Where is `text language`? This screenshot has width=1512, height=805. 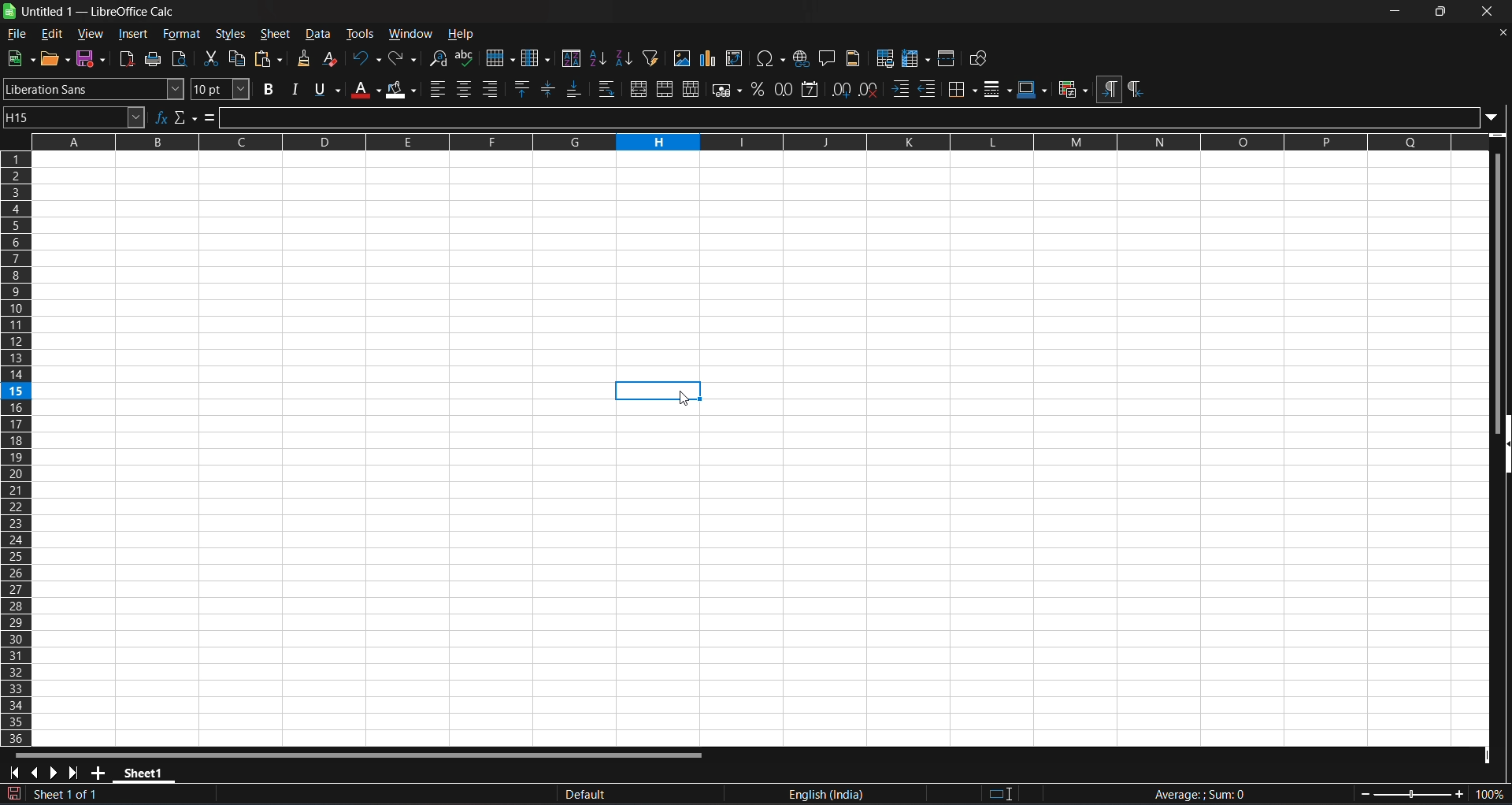
text language is located at coordinates (829, 793).